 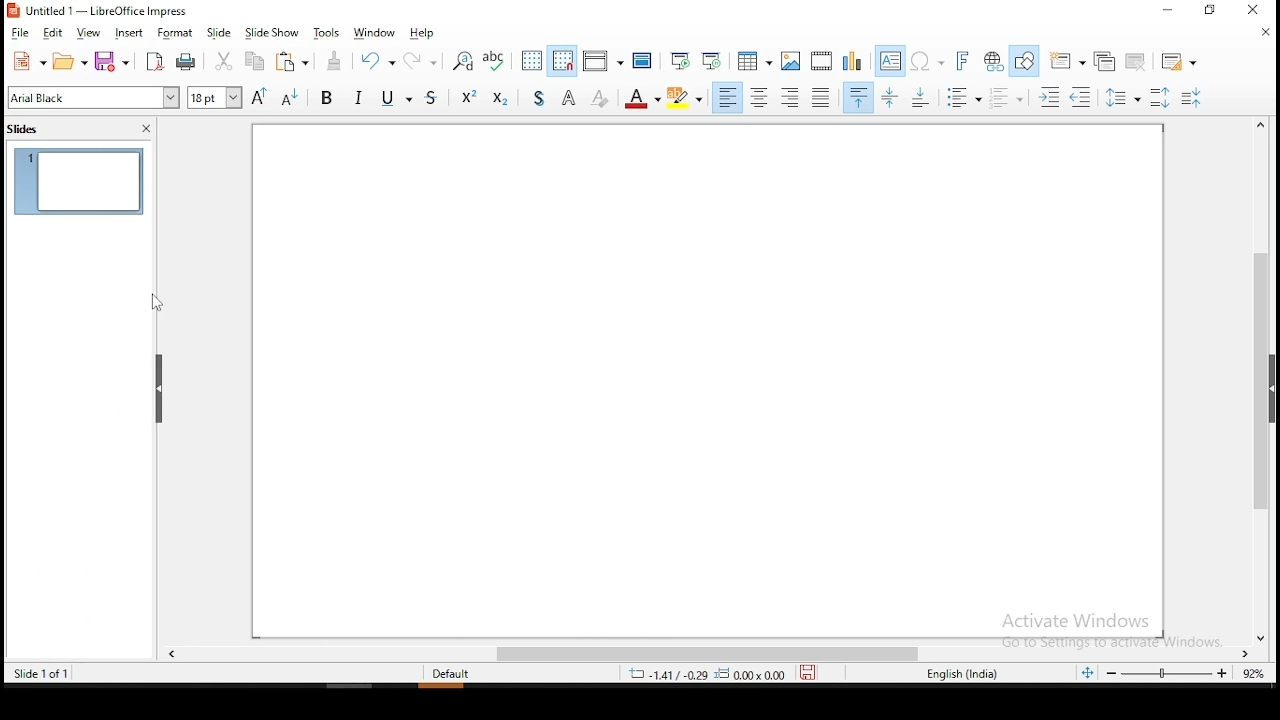 What do you see at coordinates (41, 673) in the screenshot?
I see `slide 1 of 1` at bounding box center [41, 673].